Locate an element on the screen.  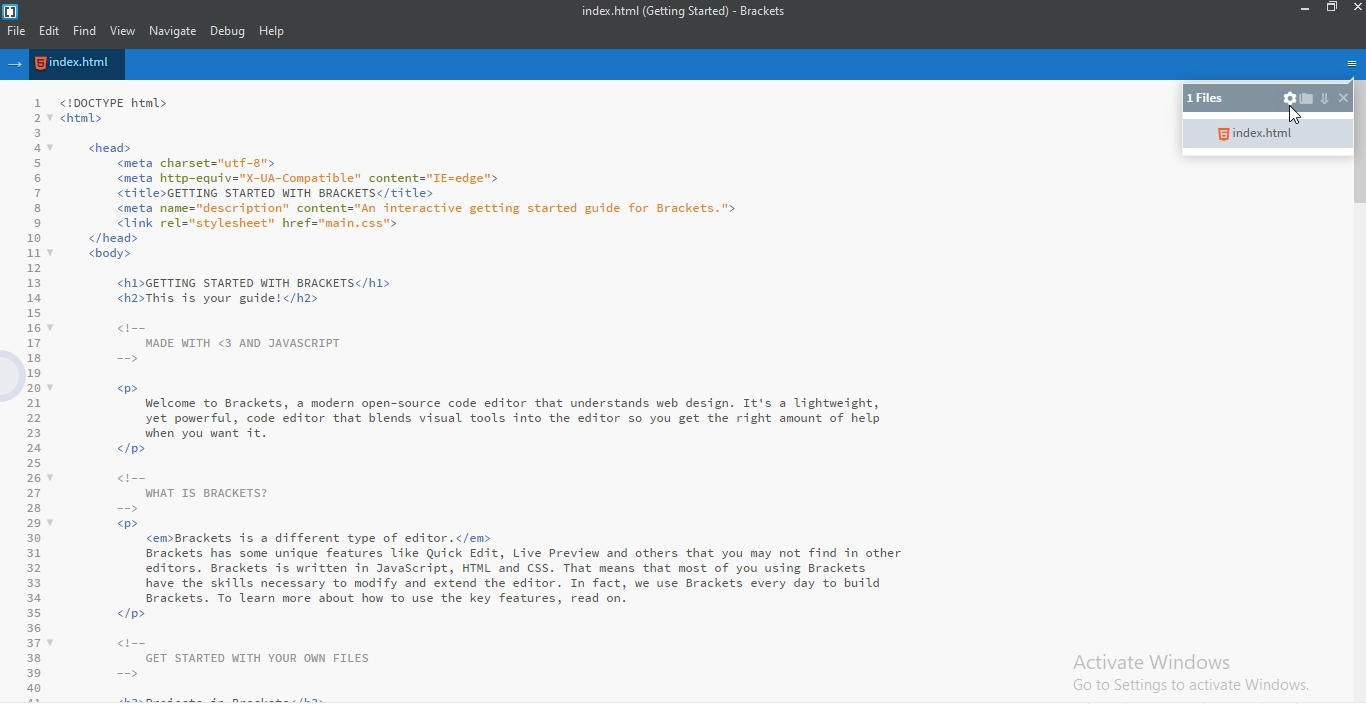
restore is located at coordinates (1333, 8).